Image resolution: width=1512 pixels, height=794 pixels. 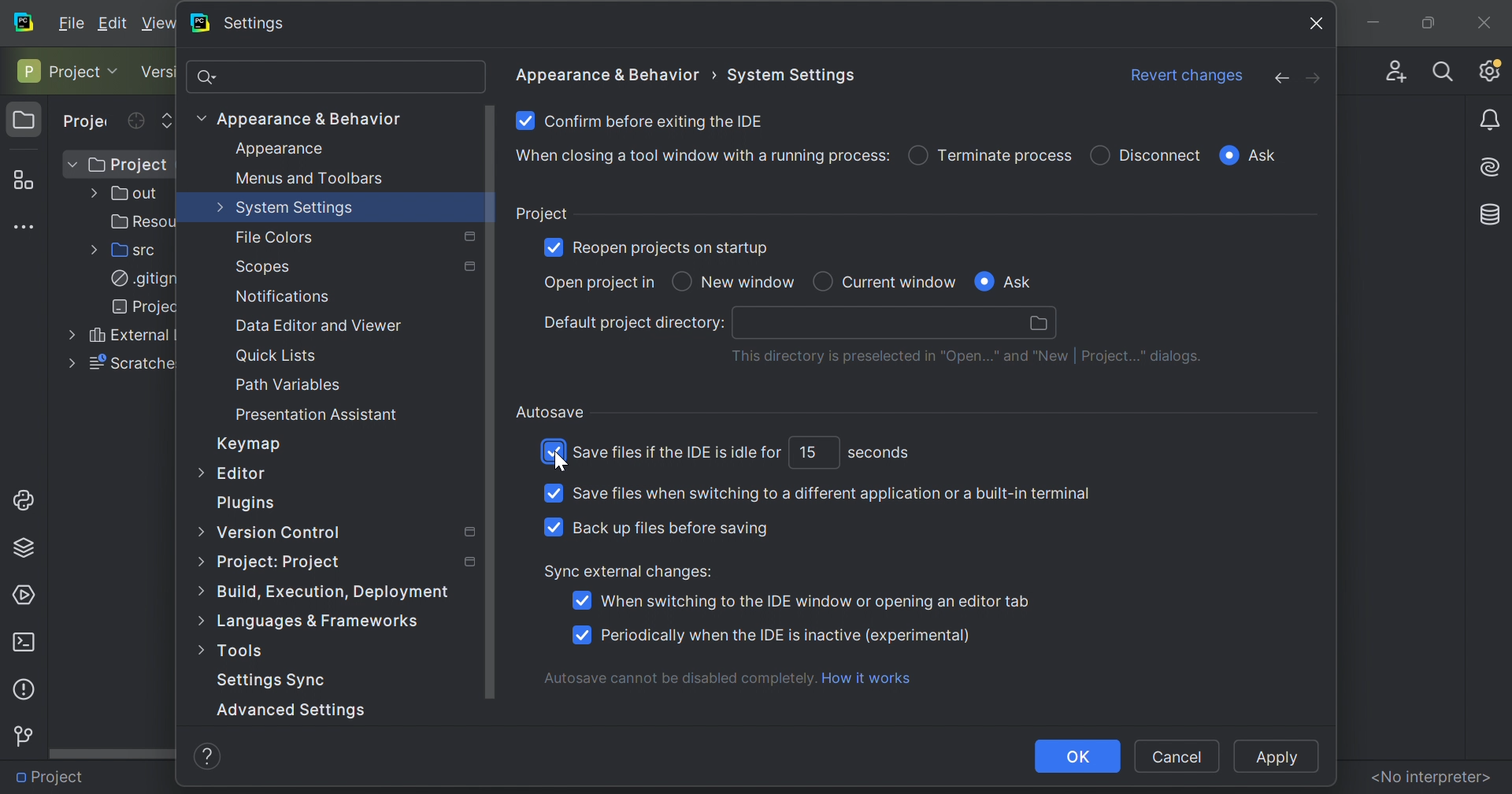 What do you see at coordinates (1273, 78) in the screenshot?
I see `Back` at bounding box center [1273, 78].